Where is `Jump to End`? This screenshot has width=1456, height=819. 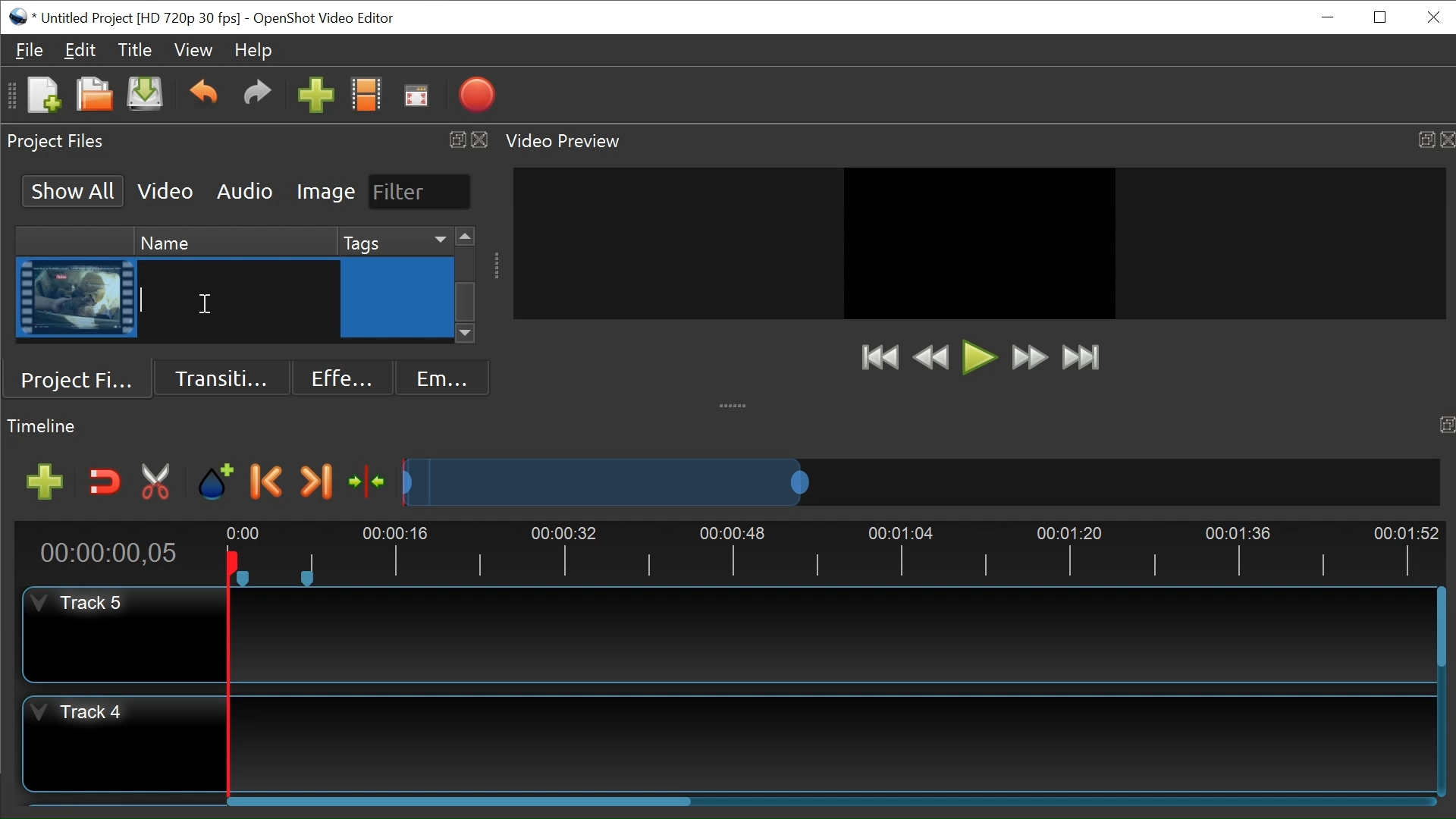 Jump to End is located at coordinates (1081, 359).